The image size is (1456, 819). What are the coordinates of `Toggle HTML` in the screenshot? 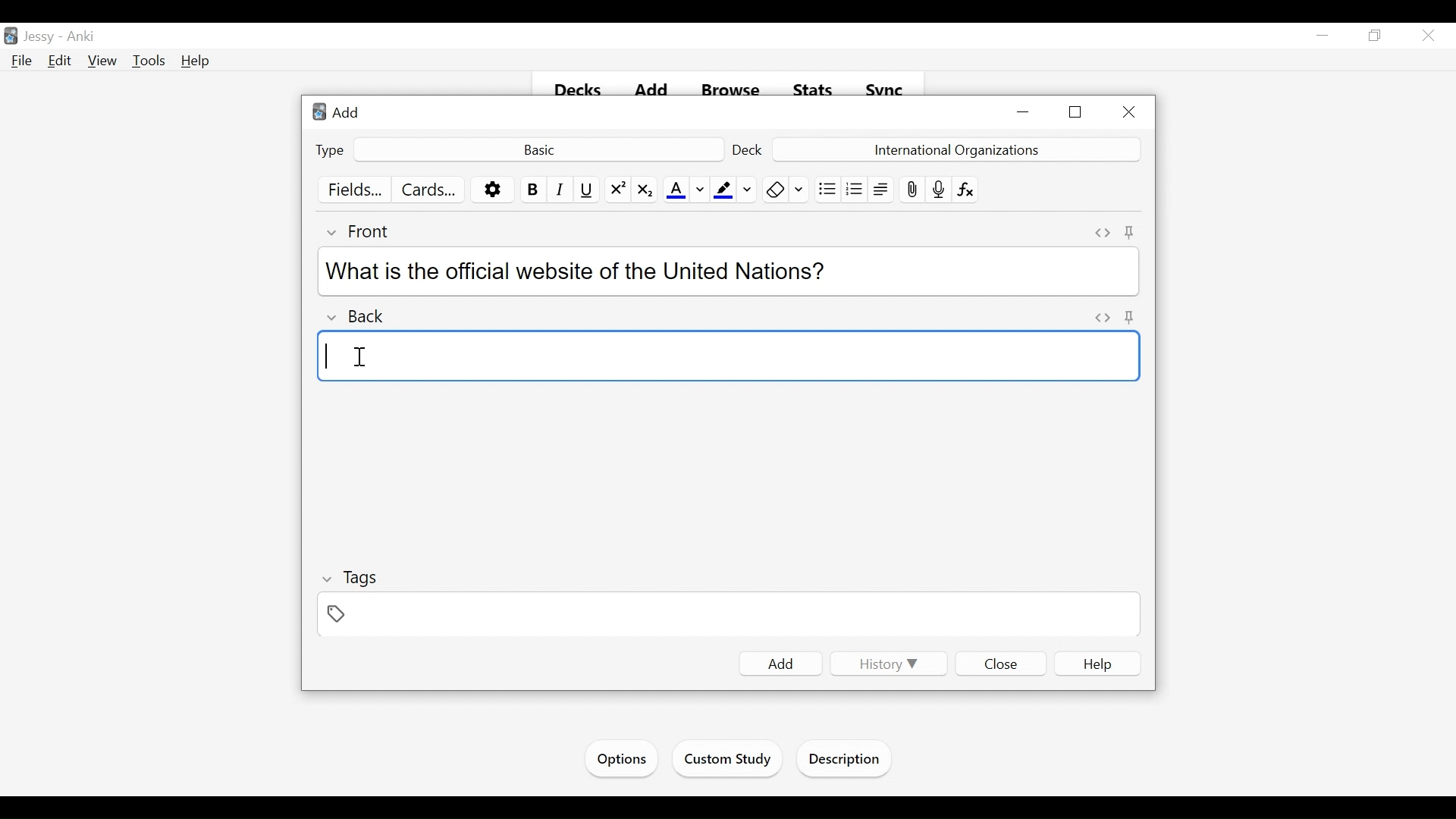 It's located at (1102, 232).